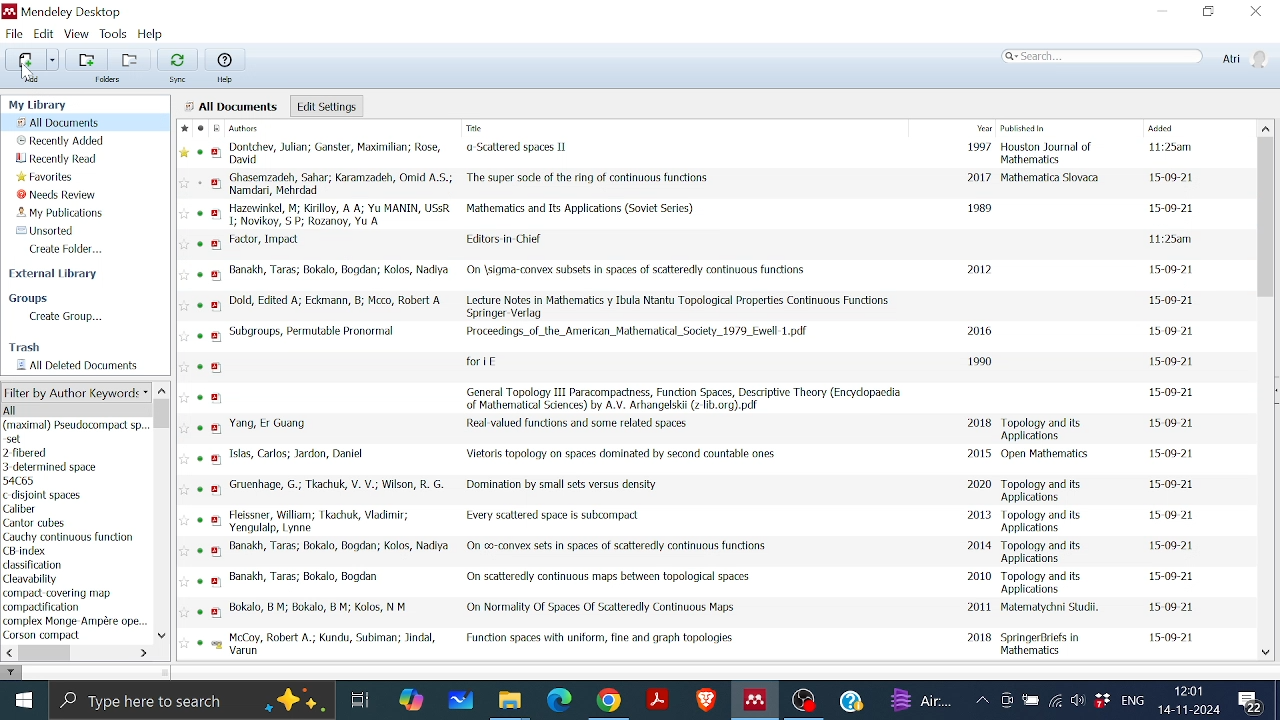 The height and width of the screenshot is (720, 1280). I want to click on Move down, so click(1267, 653).